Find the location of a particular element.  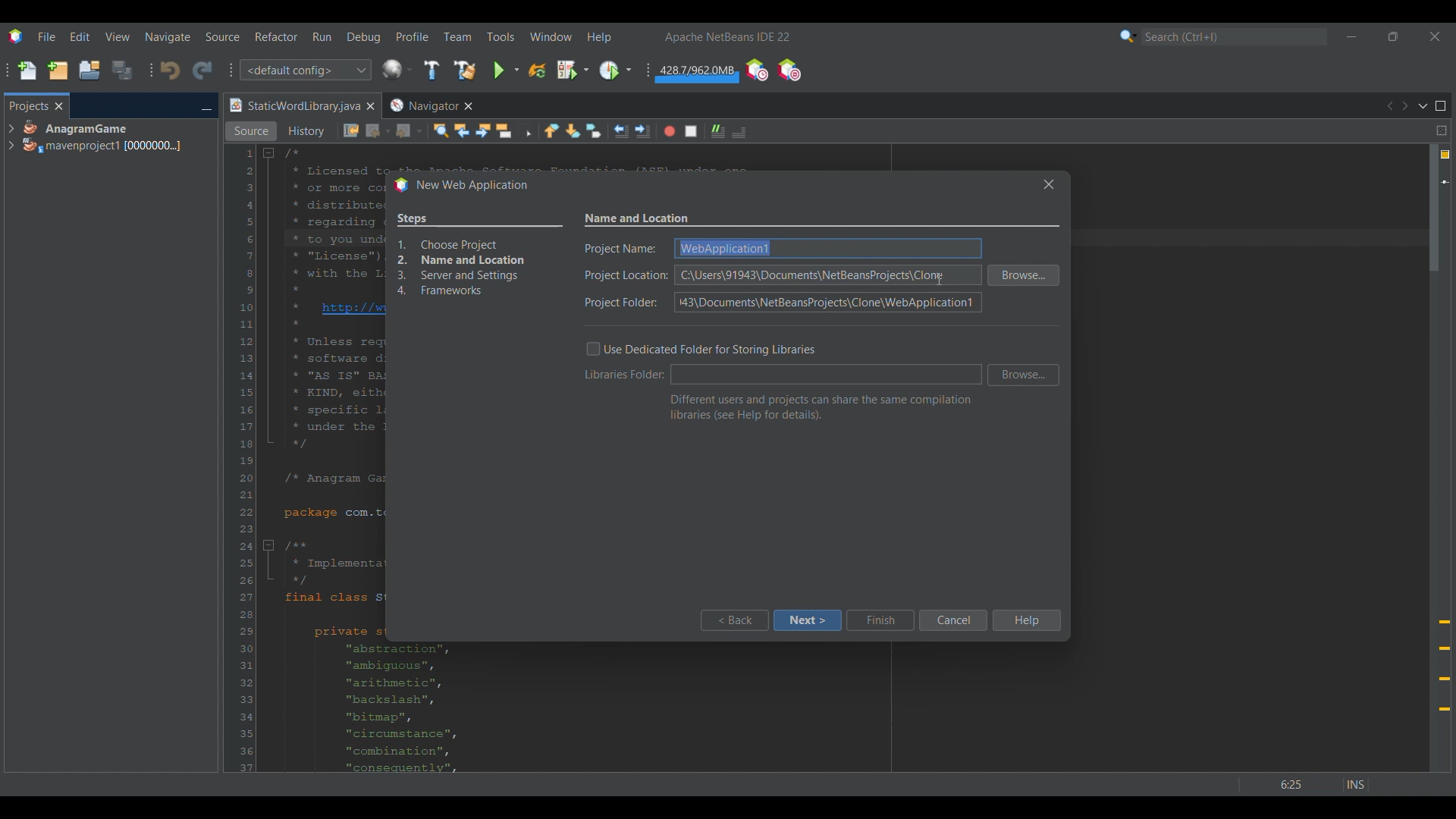

Window title changed is located at coordinates (460, 186).